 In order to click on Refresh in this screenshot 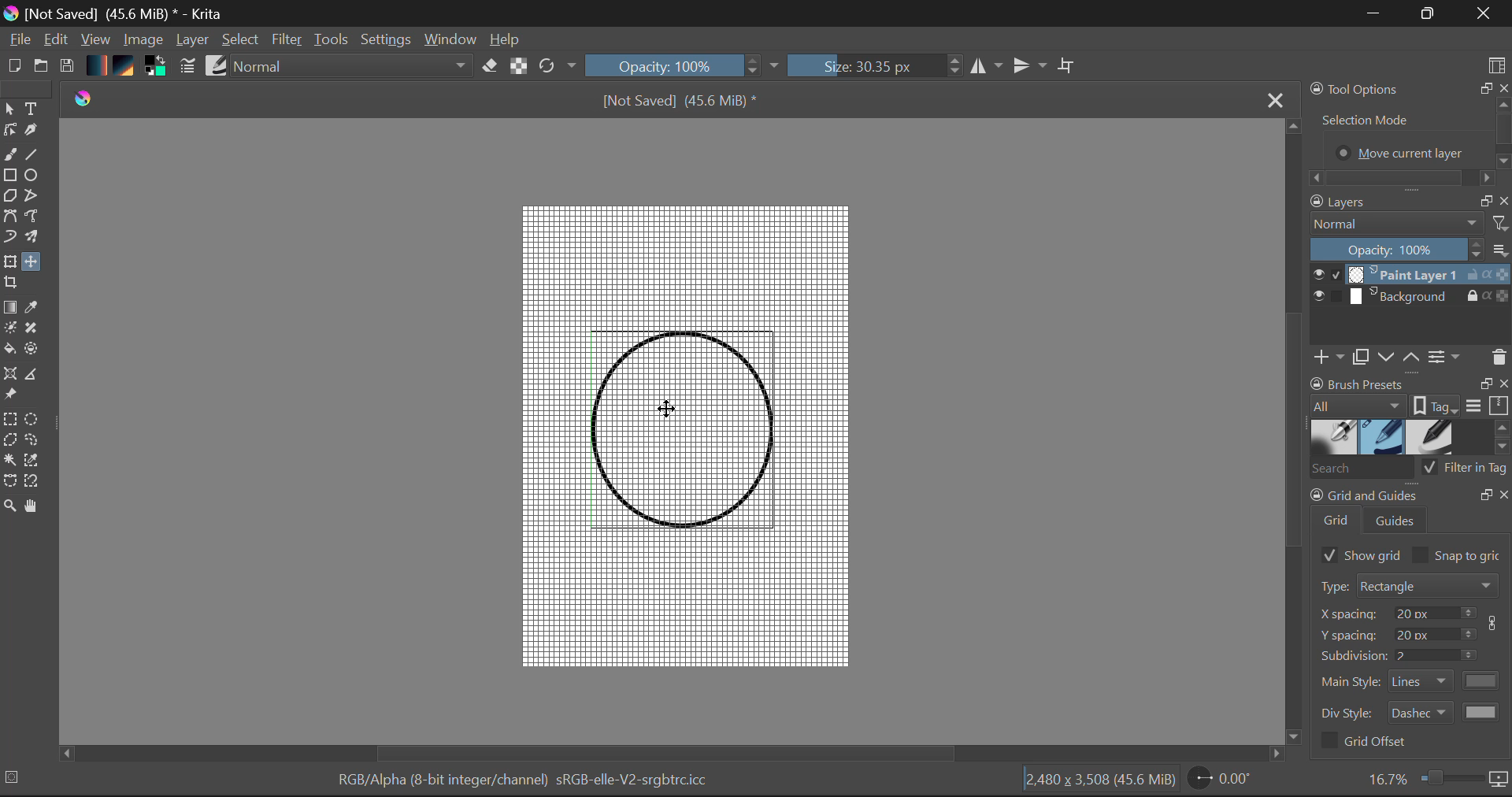, I will do `click(556, 68)`.